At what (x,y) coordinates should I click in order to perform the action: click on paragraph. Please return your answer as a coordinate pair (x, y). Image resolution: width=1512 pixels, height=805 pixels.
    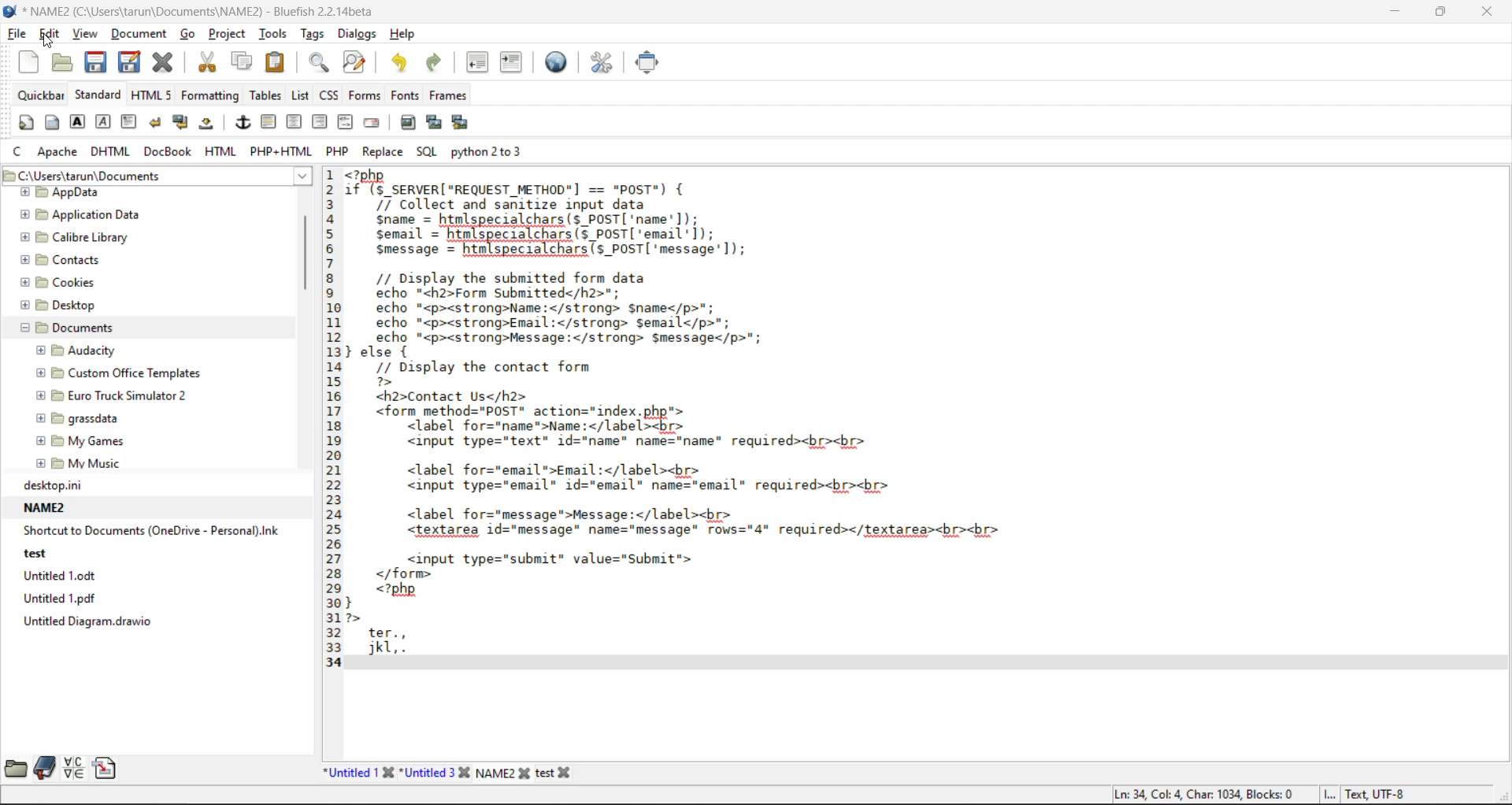
    Looking at the image, I should click on (131, 121).